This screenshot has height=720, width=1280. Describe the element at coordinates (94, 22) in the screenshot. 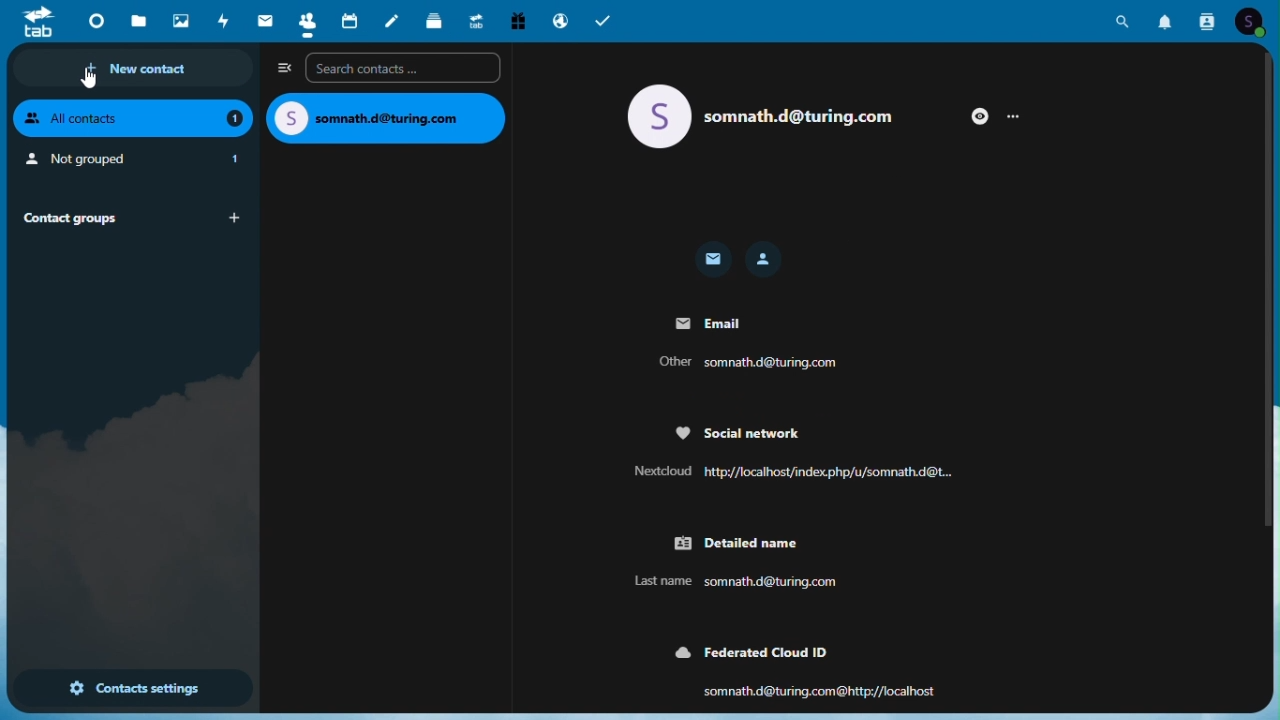

I see `Dashboard` at that location.